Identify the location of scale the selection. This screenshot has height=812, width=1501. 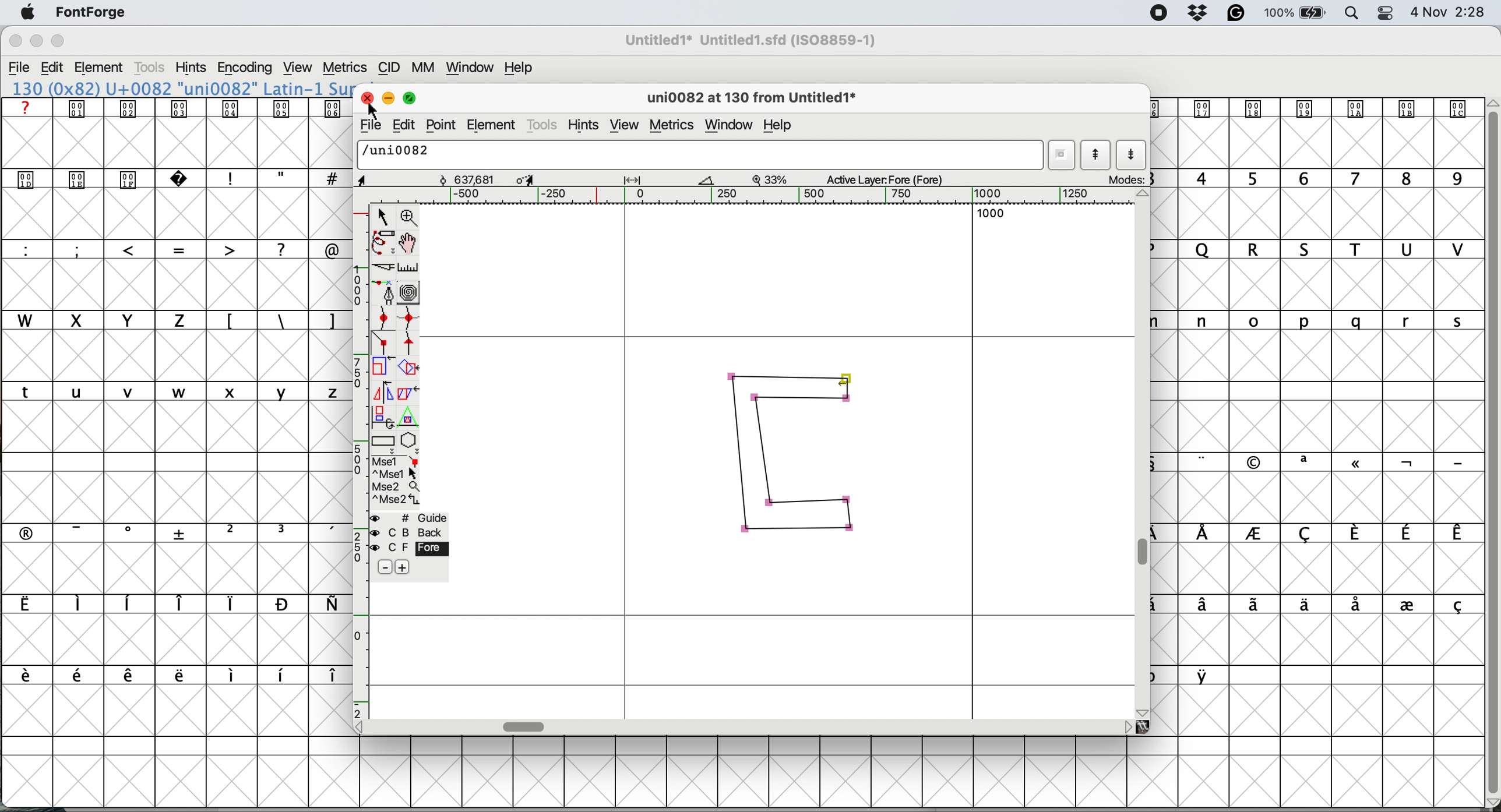
(383, 369).